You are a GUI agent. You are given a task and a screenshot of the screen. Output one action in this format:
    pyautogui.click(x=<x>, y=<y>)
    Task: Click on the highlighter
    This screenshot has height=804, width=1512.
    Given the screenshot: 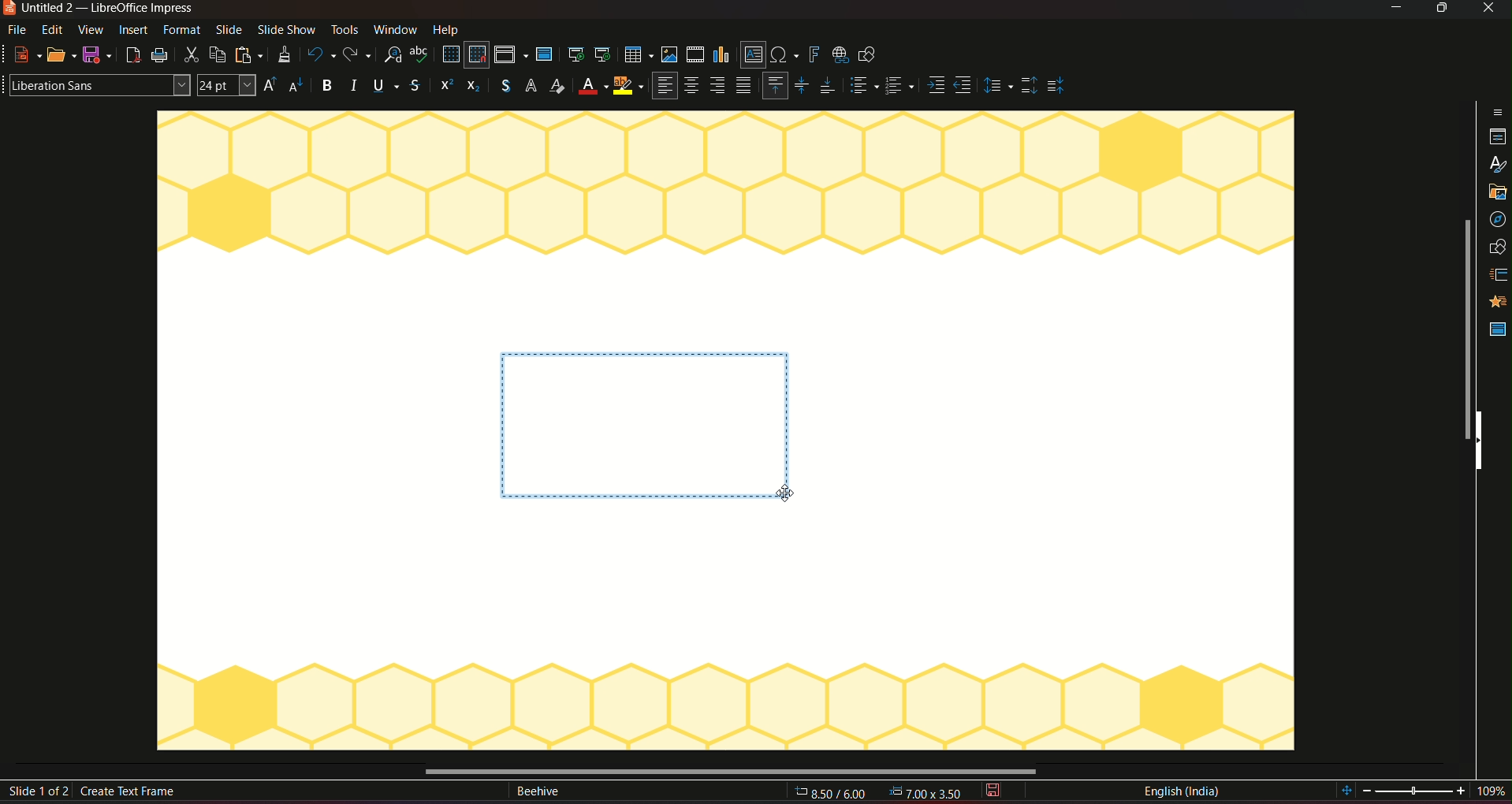 What is the action you would take?
    pyautogui.click(x=629, y=87)
    